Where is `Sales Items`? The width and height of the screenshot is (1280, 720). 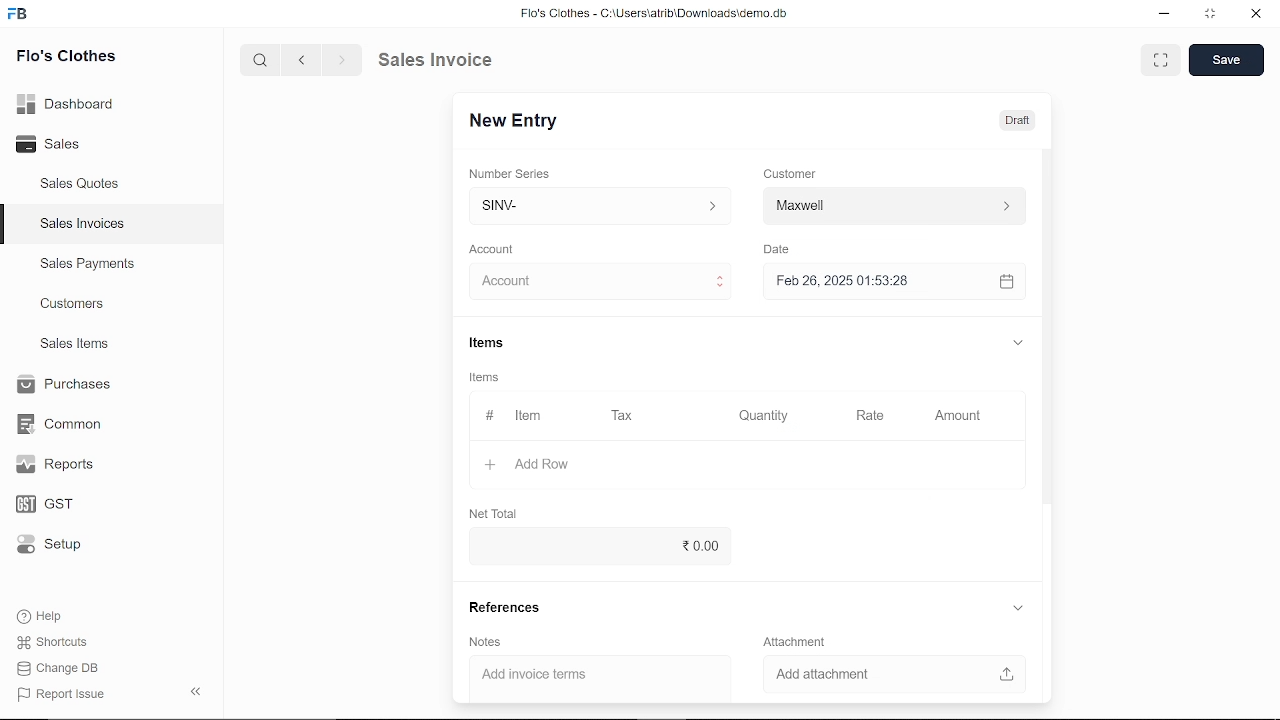 Sales Items is located at coordinates (74, 346).